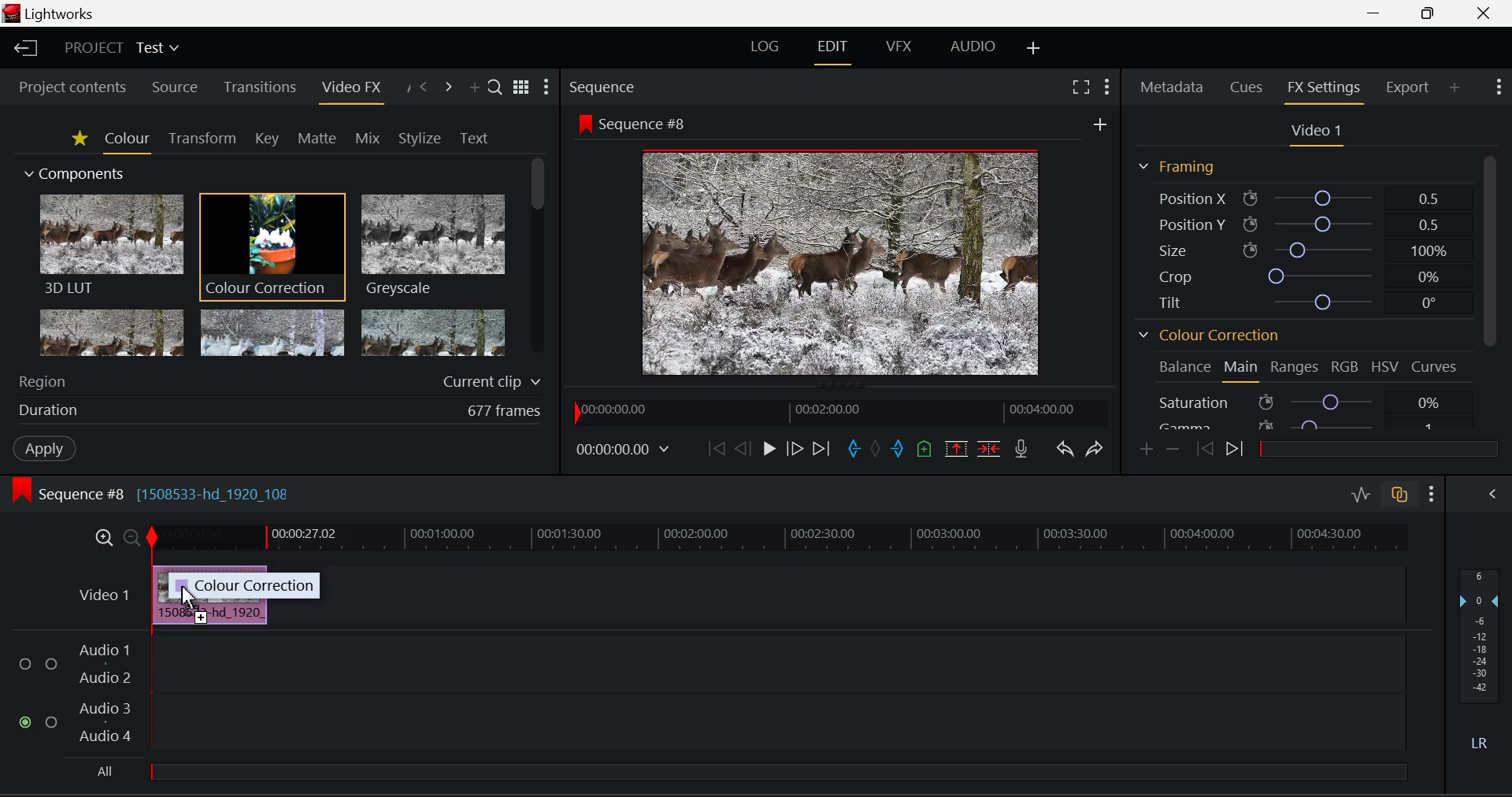  I want to click on To Start, so click(715, 451).